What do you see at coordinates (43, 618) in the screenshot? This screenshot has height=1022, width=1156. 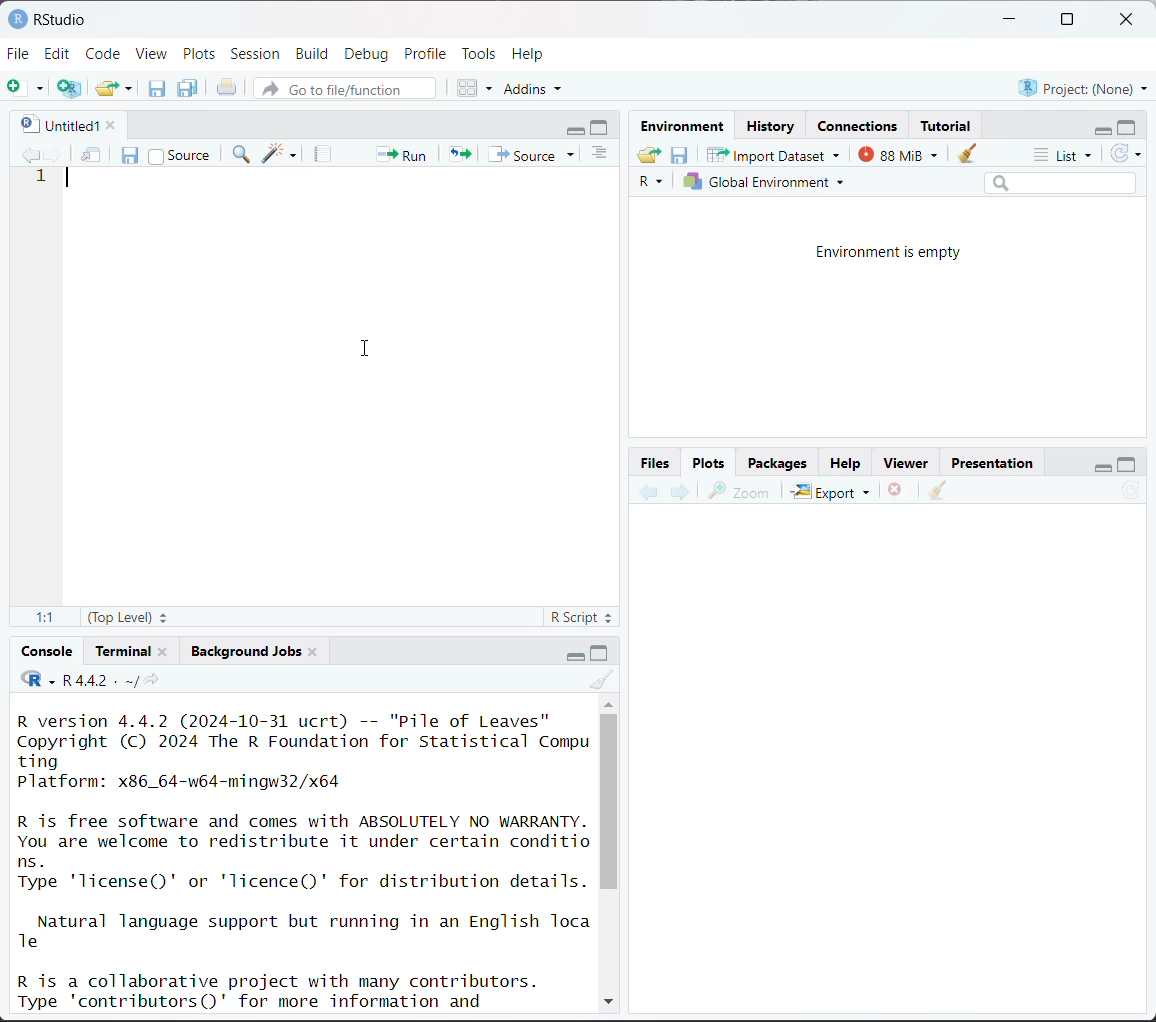 I see `1:1` at bounding box center [43, 618].